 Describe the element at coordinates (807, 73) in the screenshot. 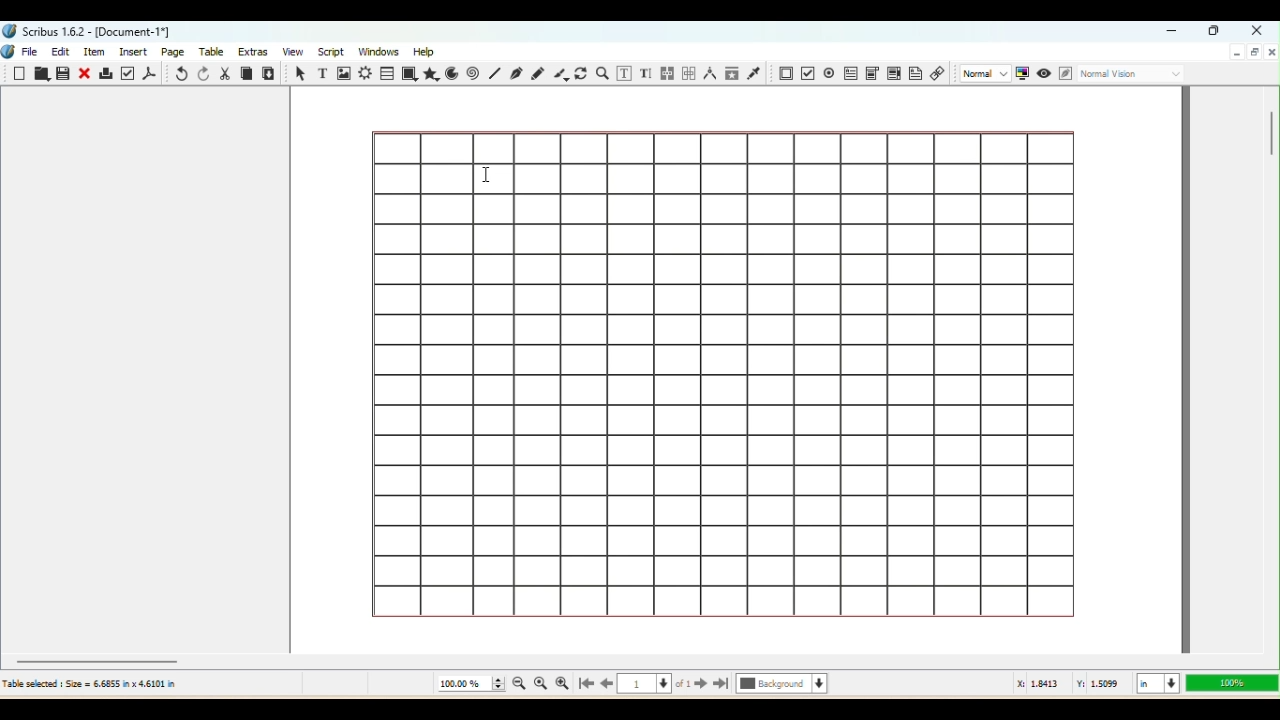

I see `PDF Radio button` at that location.